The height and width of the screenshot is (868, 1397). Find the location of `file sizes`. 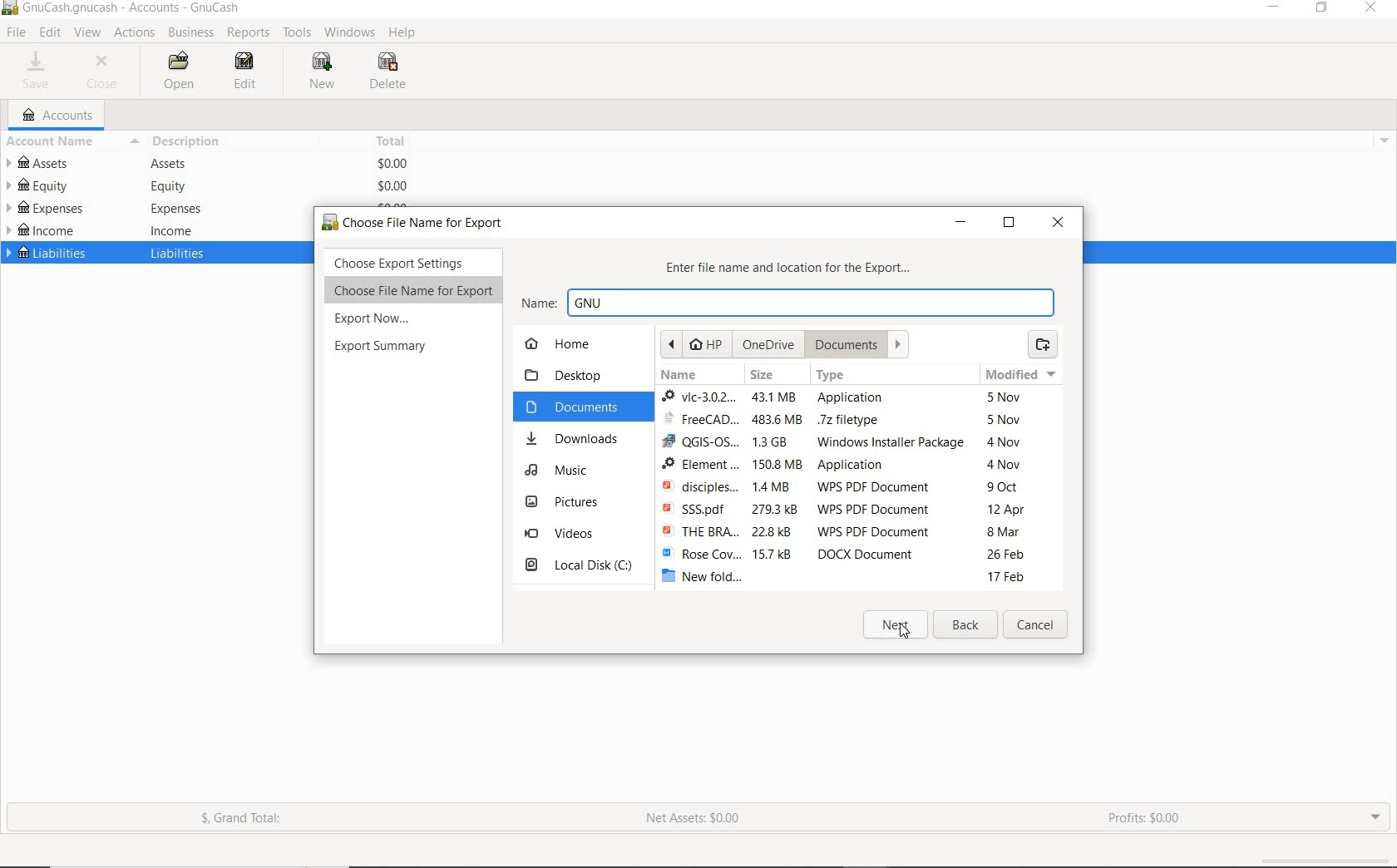

file sizes is located at coordinates (774, 484).